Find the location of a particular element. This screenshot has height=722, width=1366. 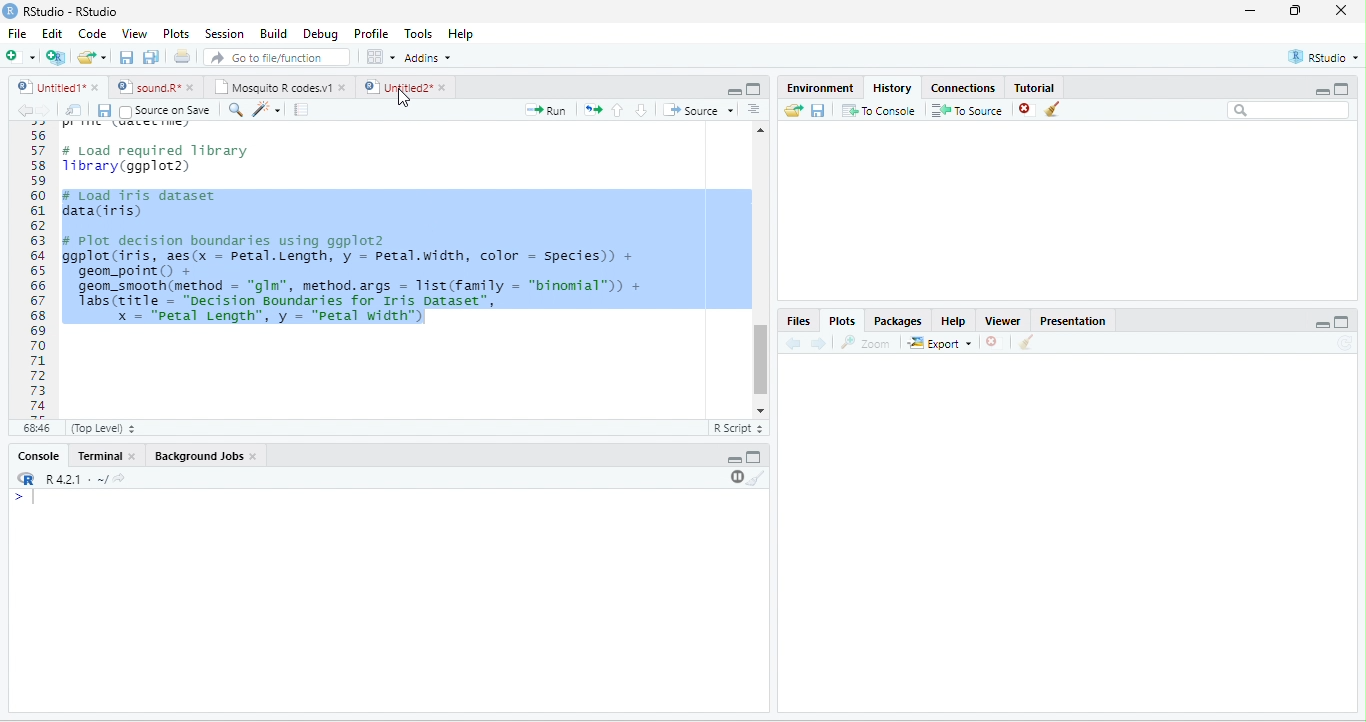

logo is located at coordinates (9, 11).